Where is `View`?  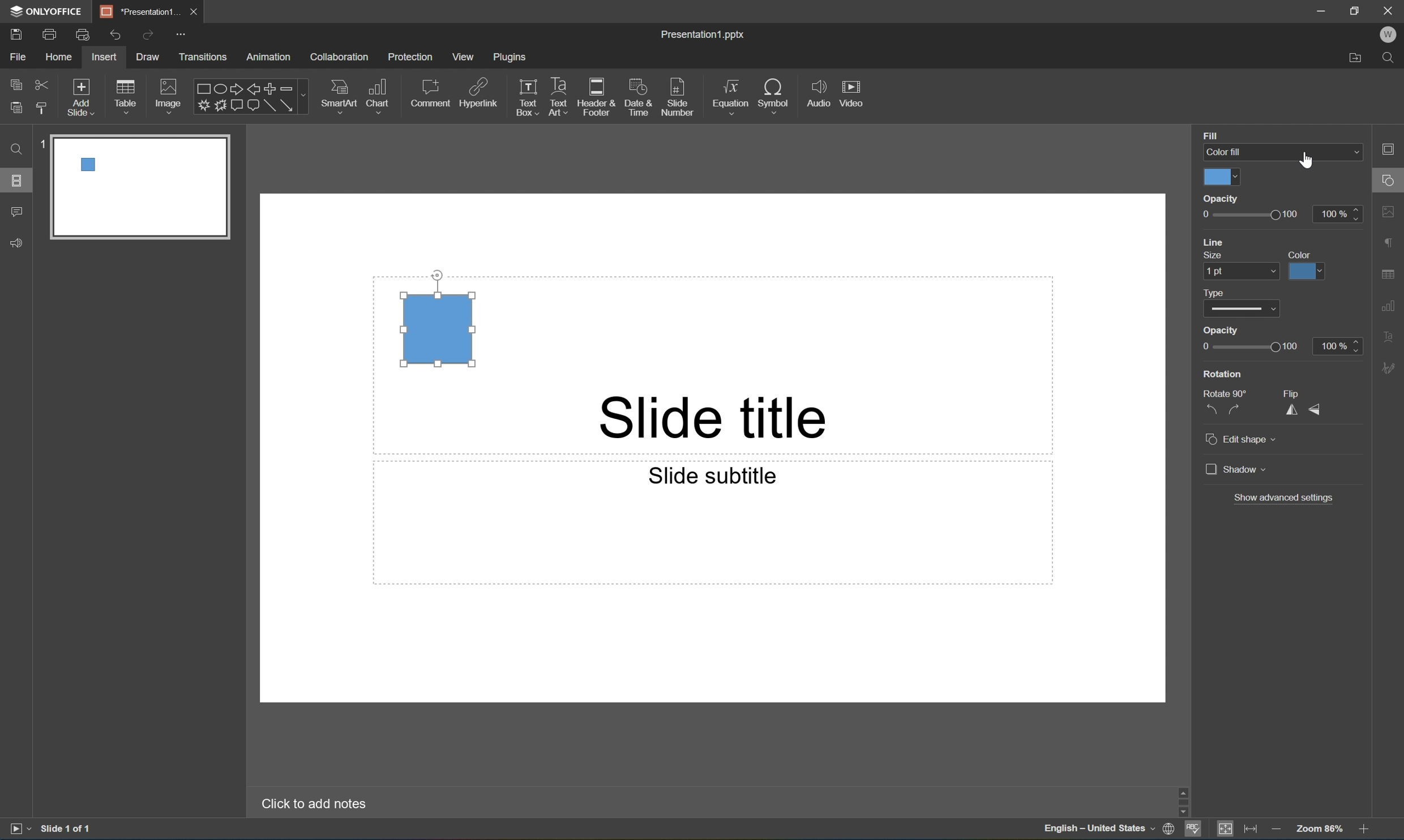
View is located at coordinates (464, 57).